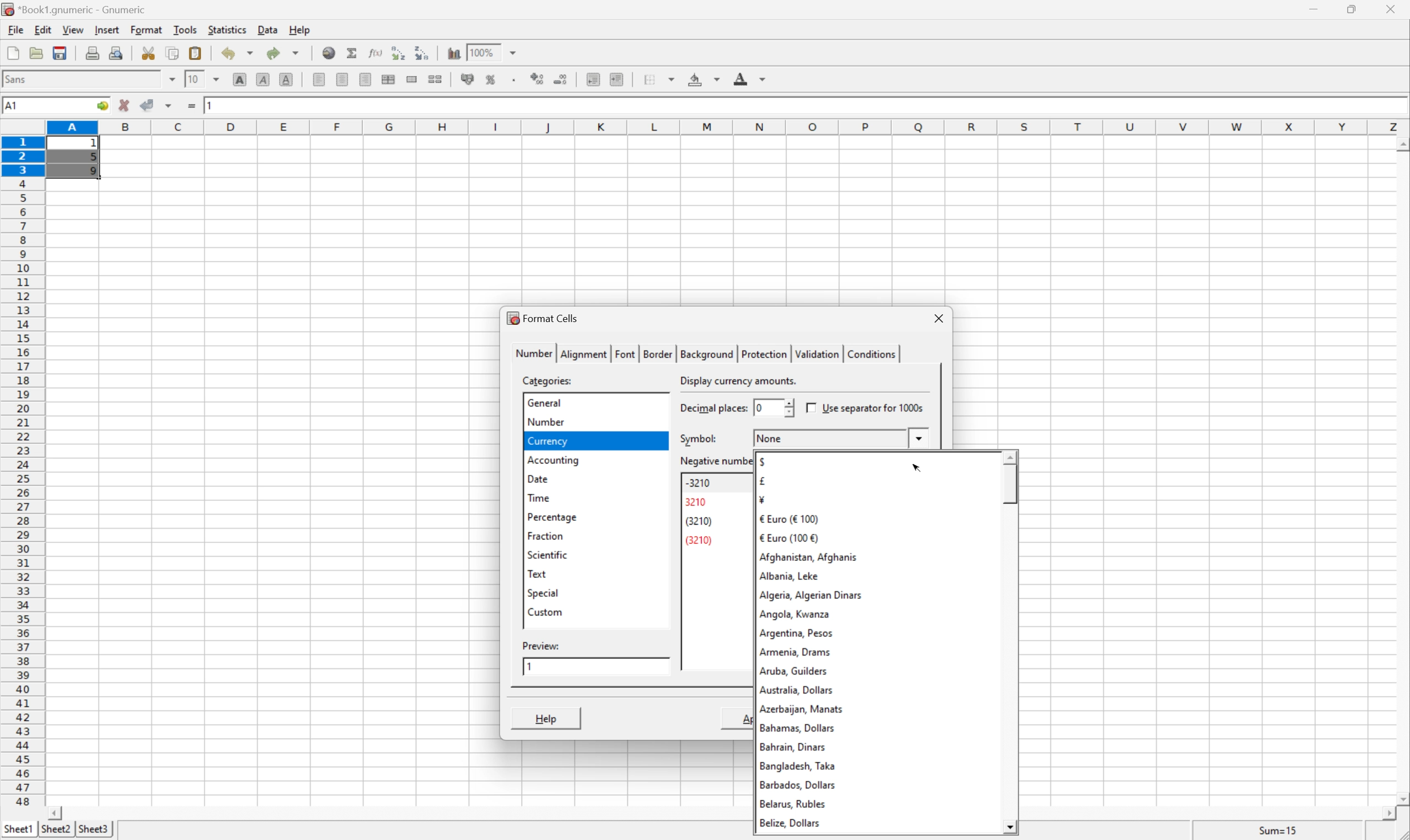  Describe the element at coordinates (367, 79) in the screenshot. I see `align right` at that location.